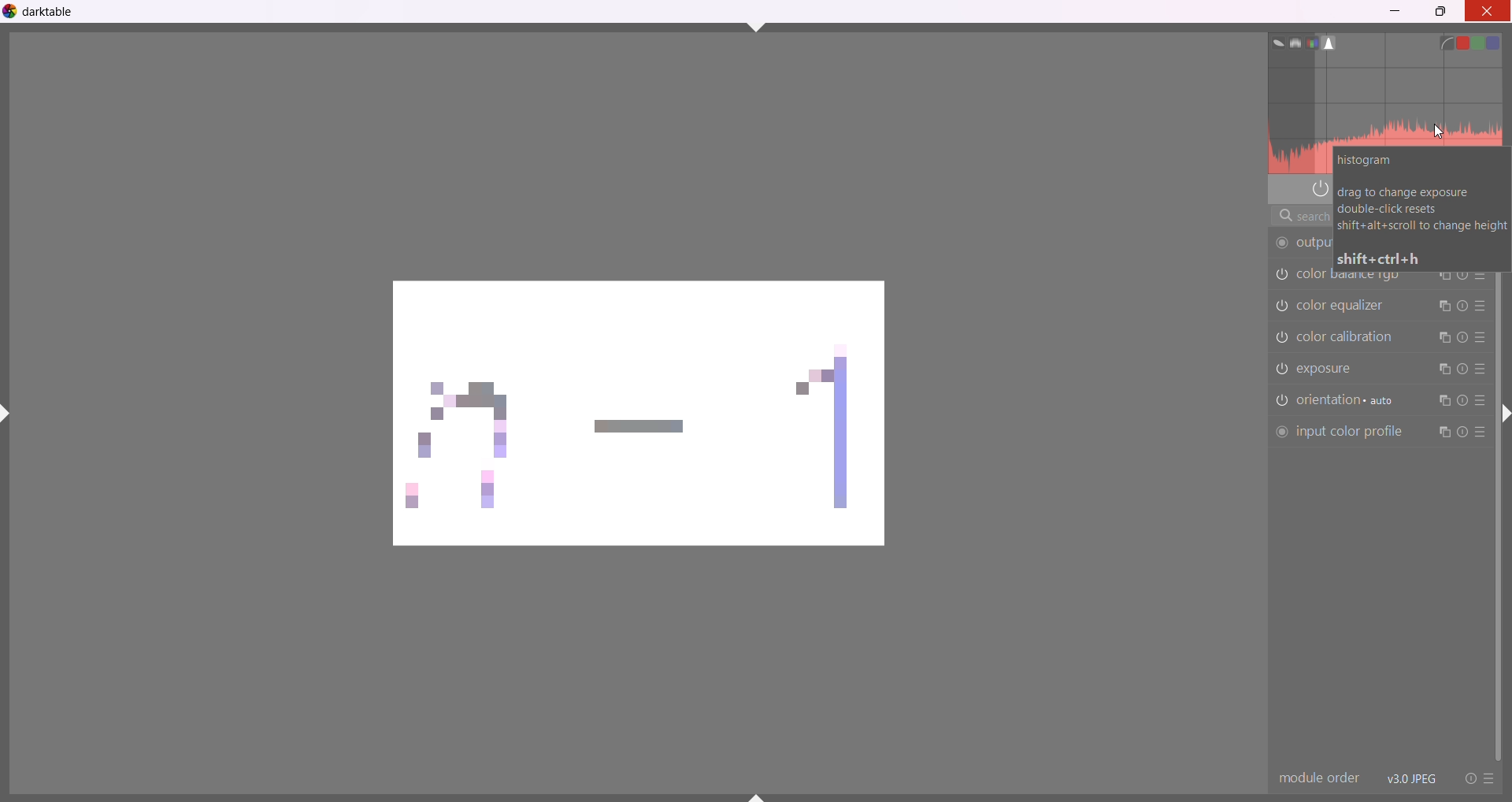  I want to click on reset, so click(1466, 778).